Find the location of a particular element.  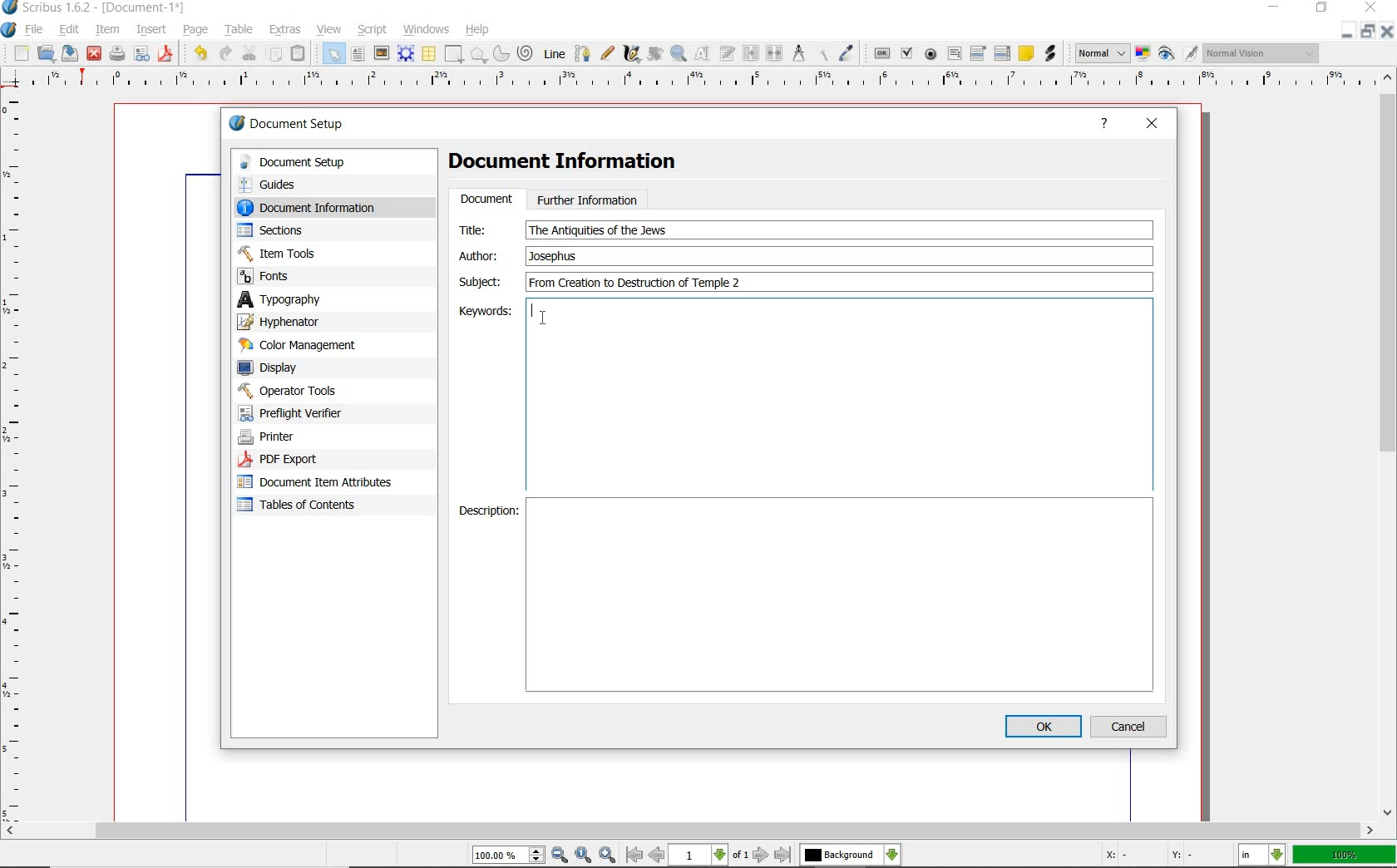

cancel is located at coordinates (1131, 726).